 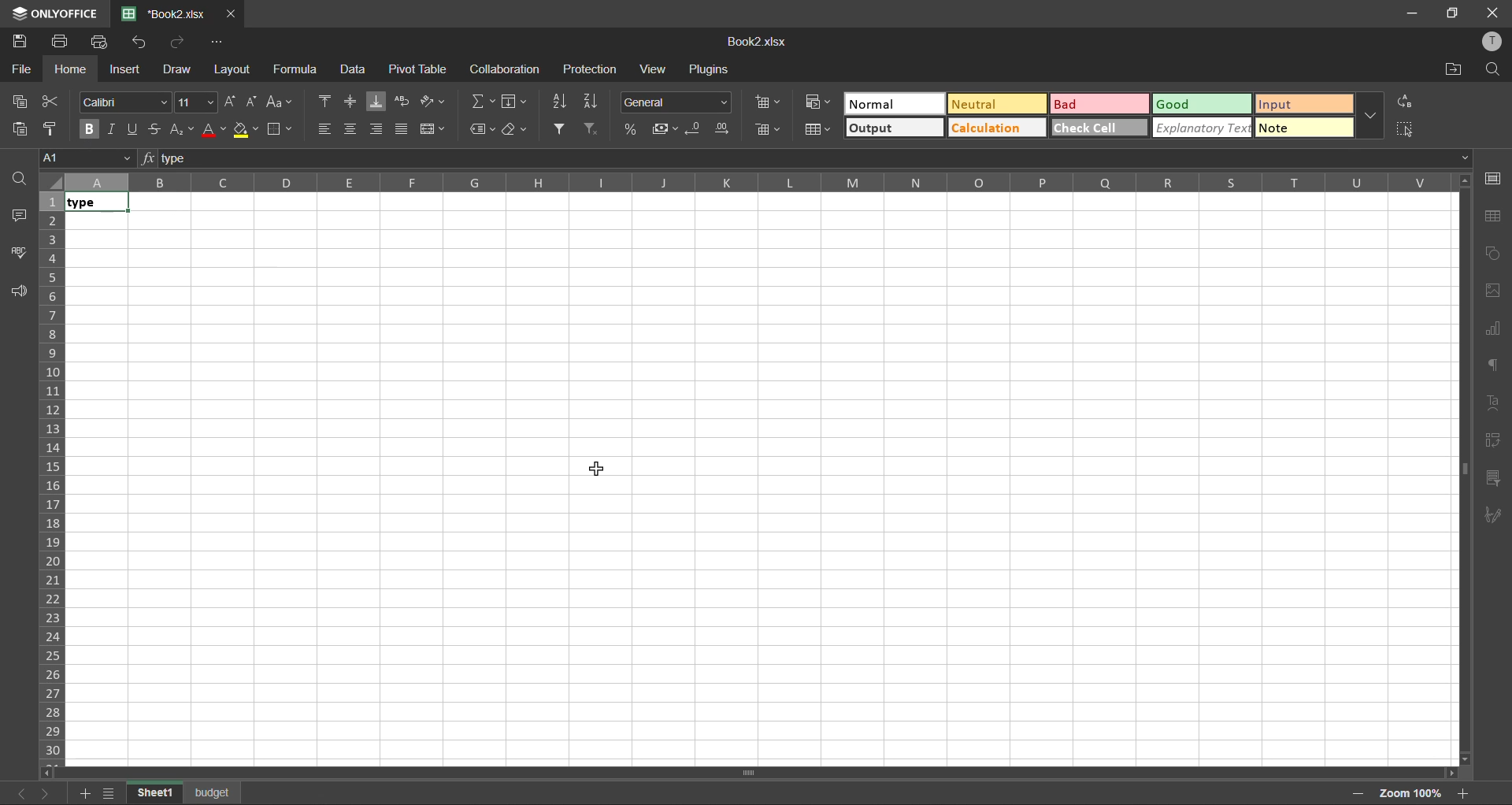 I want to click on bold, so click(x=89, y=132).